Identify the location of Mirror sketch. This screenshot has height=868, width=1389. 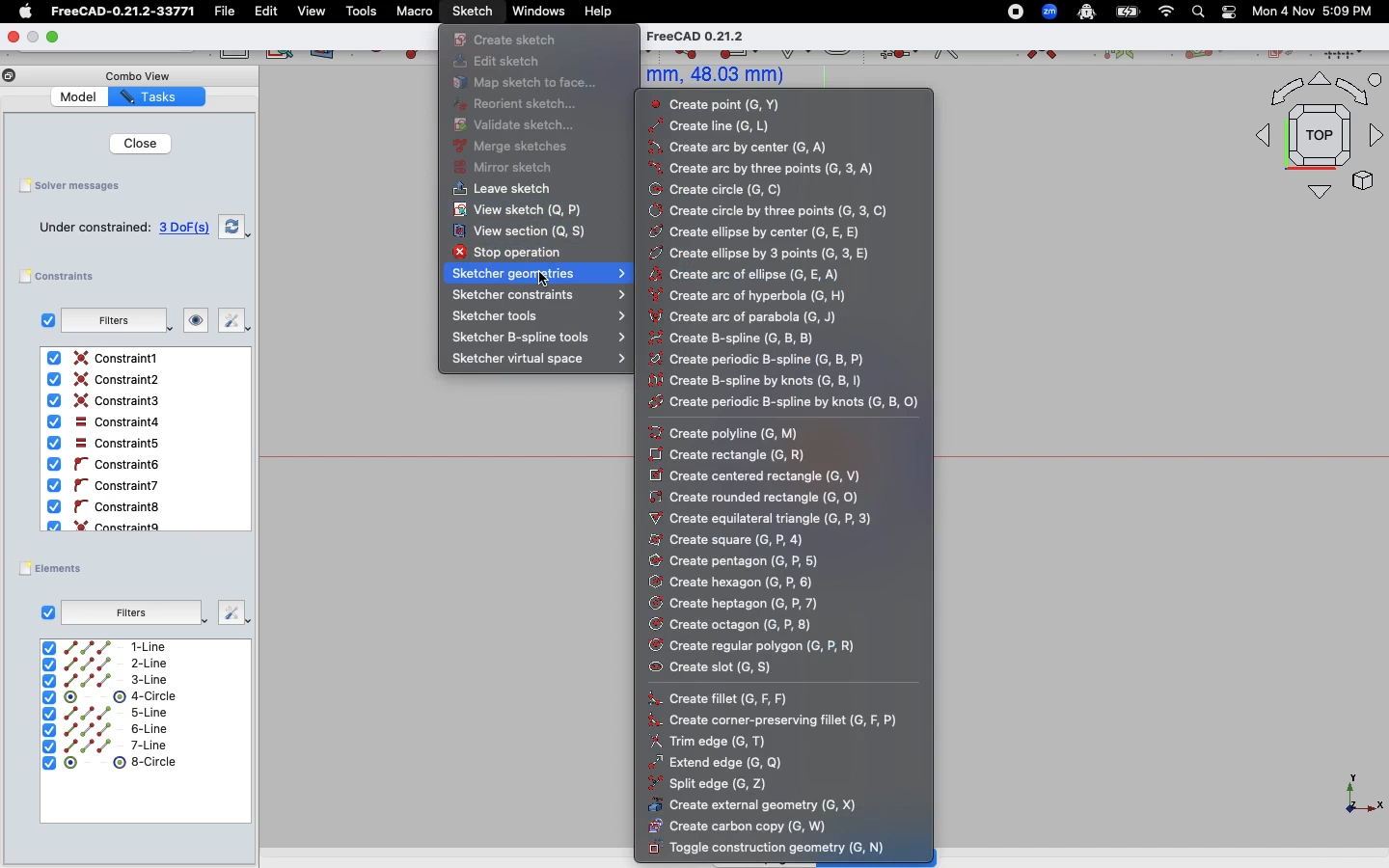
(504, 169).